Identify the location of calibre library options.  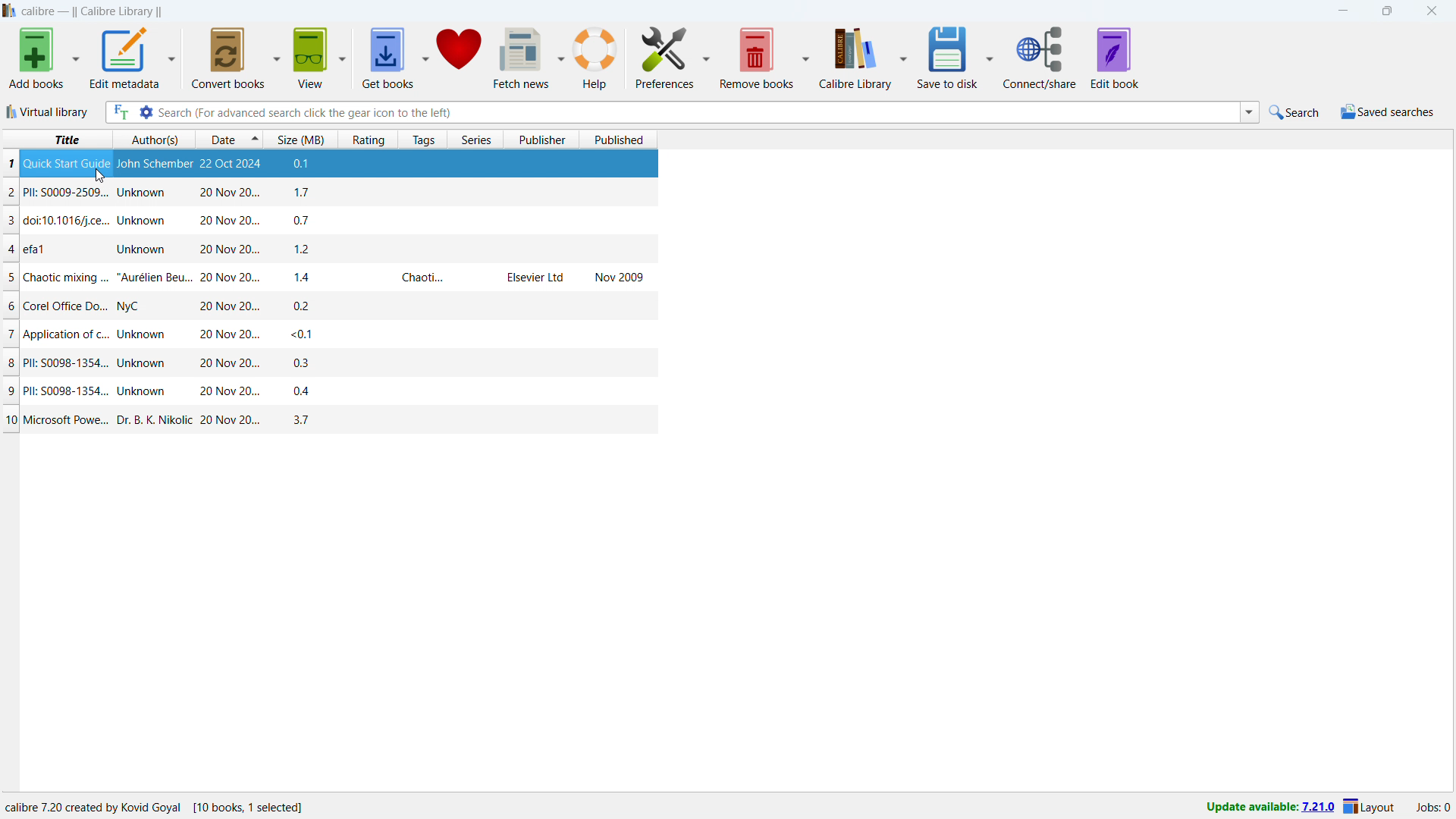
(903, 57).